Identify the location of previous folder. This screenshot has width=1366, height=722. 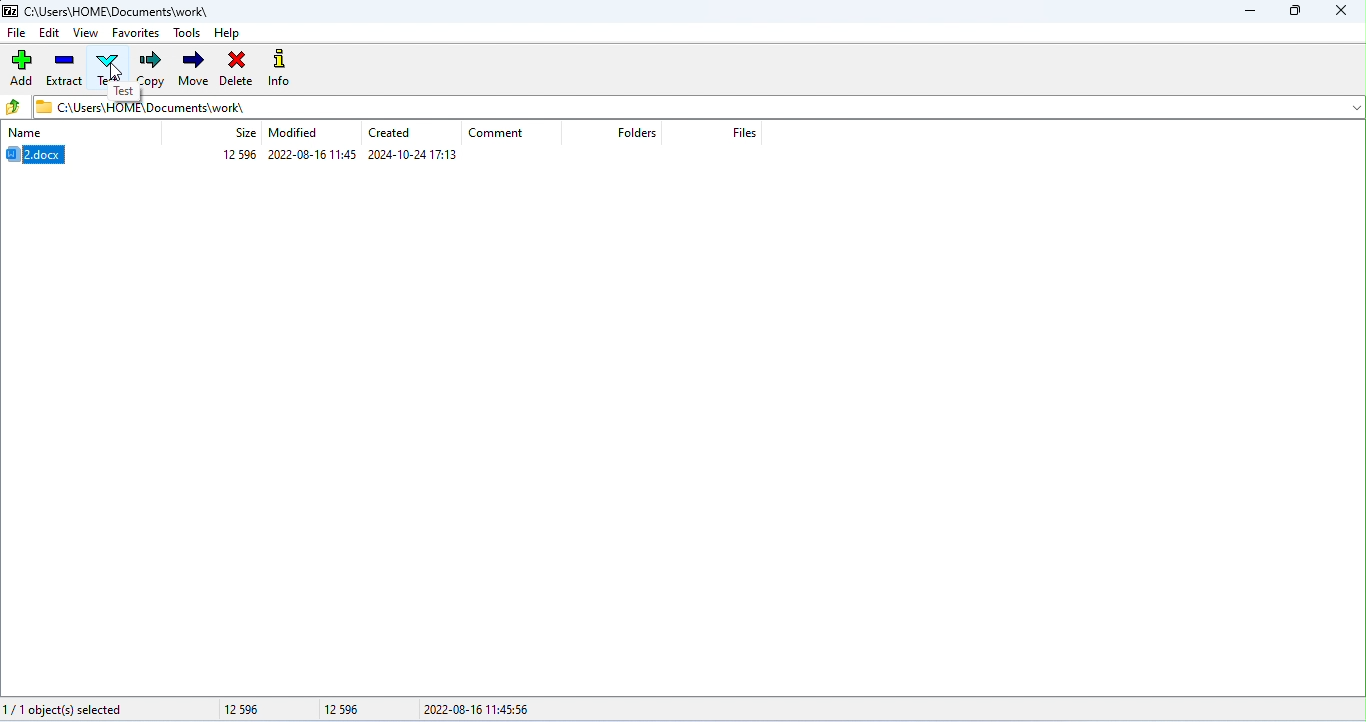
(15, 107).